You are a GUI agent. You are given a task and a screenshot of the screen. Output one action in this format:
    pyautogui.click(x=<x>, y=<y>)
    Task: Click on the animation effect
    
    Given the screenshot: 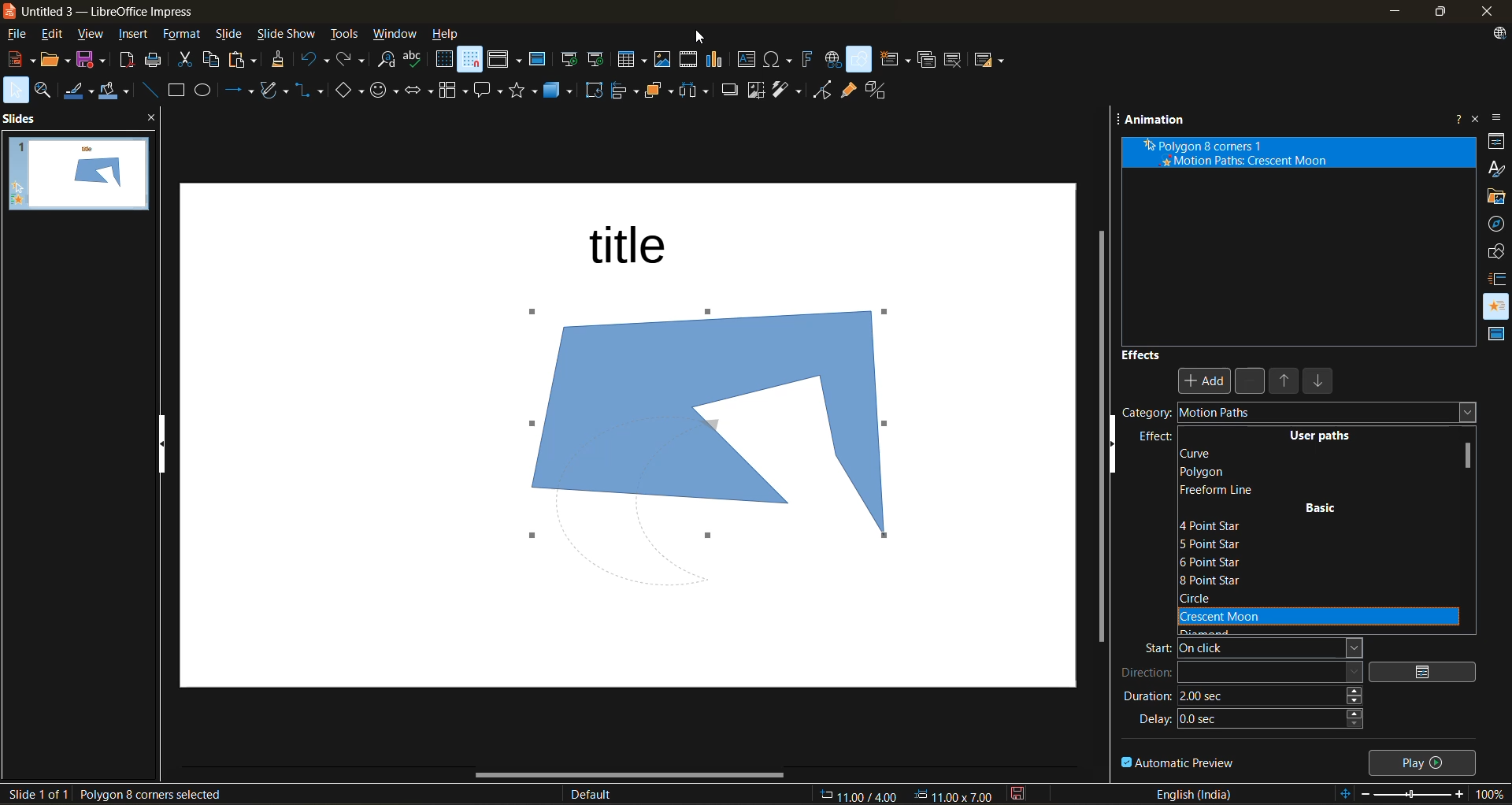 What is the action you would take?
    pyautogui.click(x=1302, y=152)
    